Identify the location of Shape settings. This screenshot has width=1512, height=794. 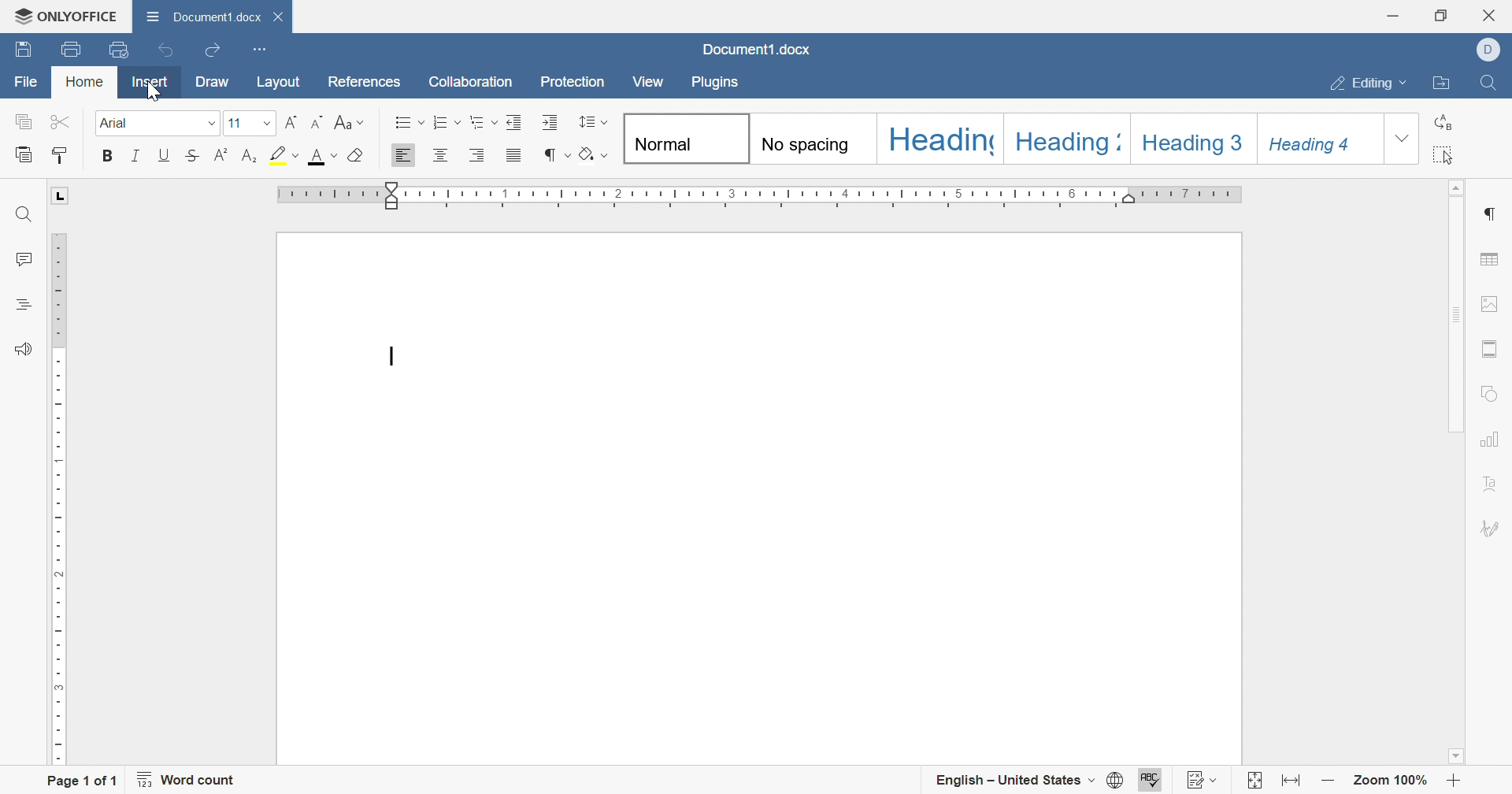
(1490, 395).